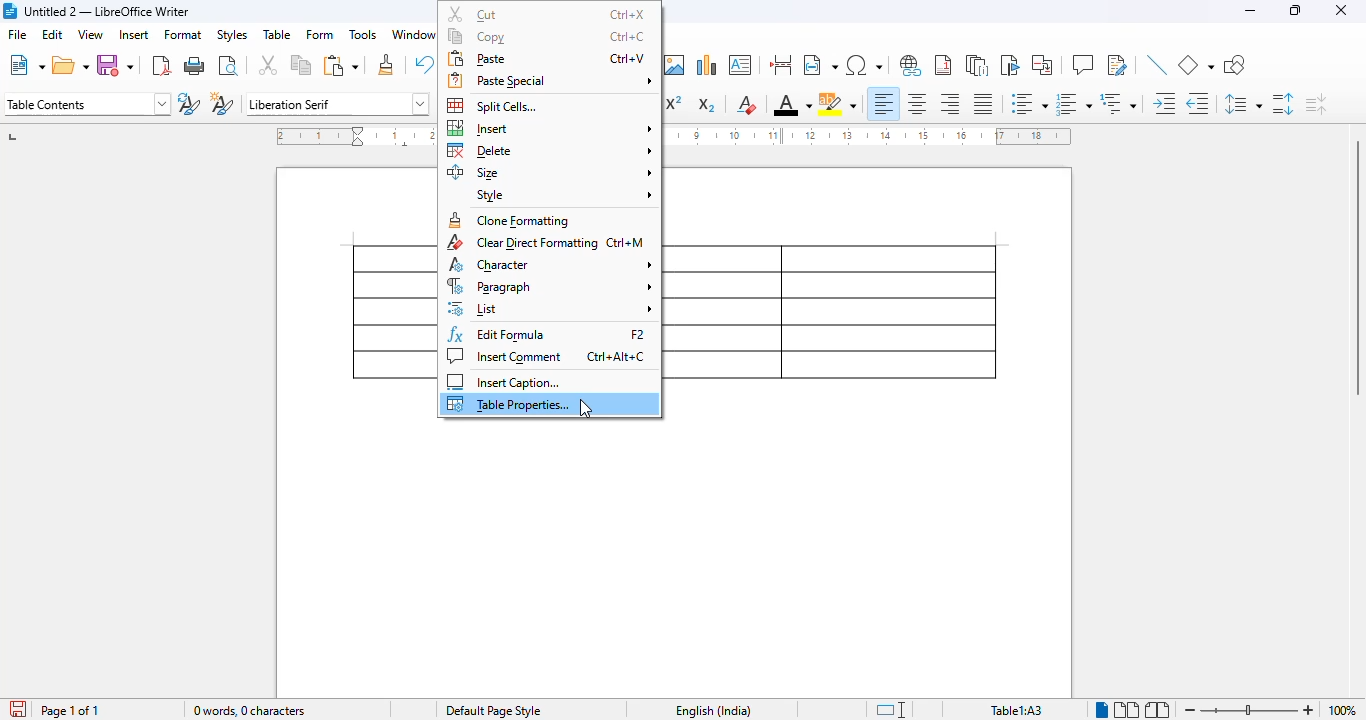  I want to click on increase paragraph spacing, so click(1282, 104).